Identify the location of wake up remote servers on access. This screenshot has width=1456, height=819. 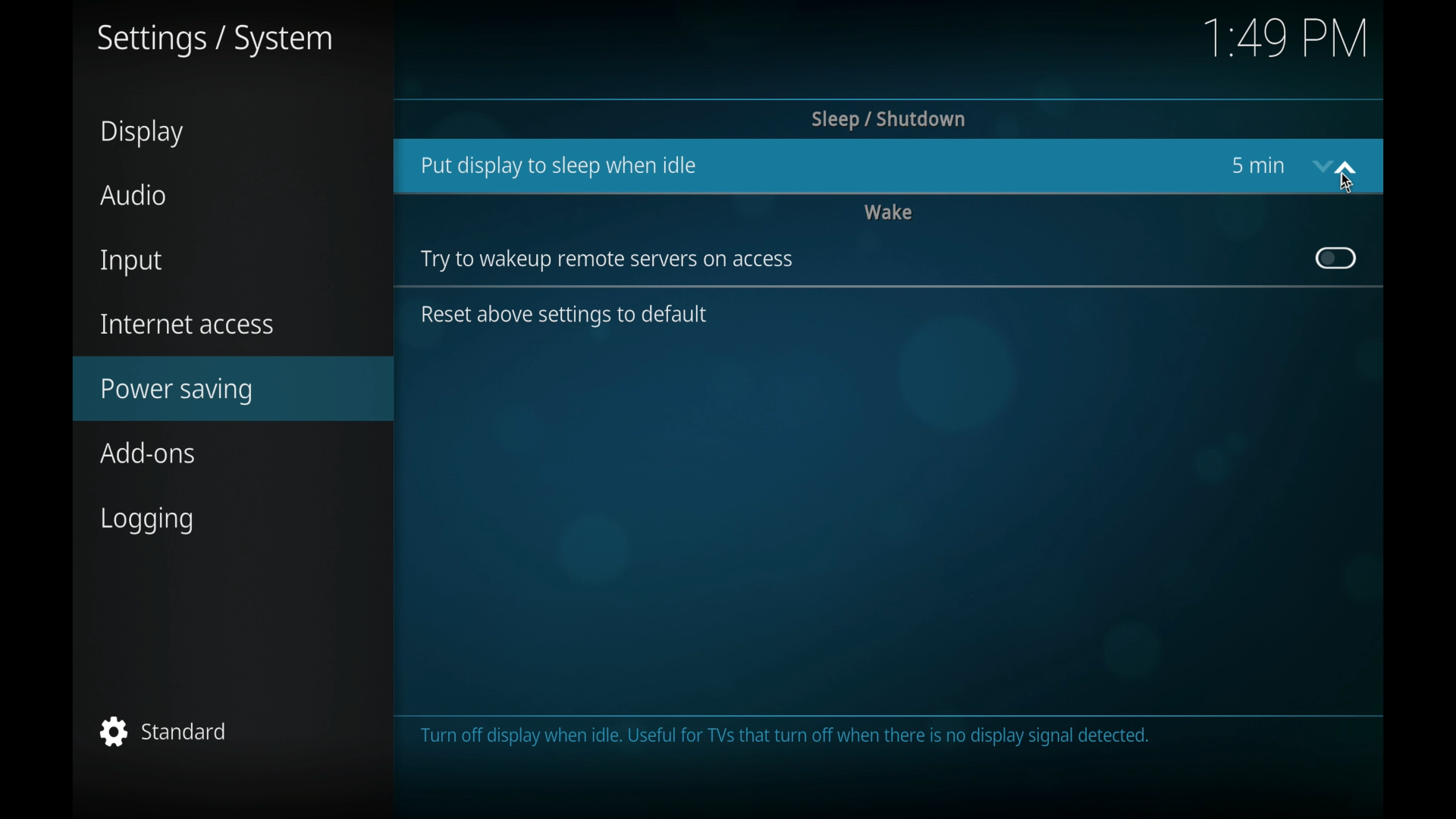
(606, 261).